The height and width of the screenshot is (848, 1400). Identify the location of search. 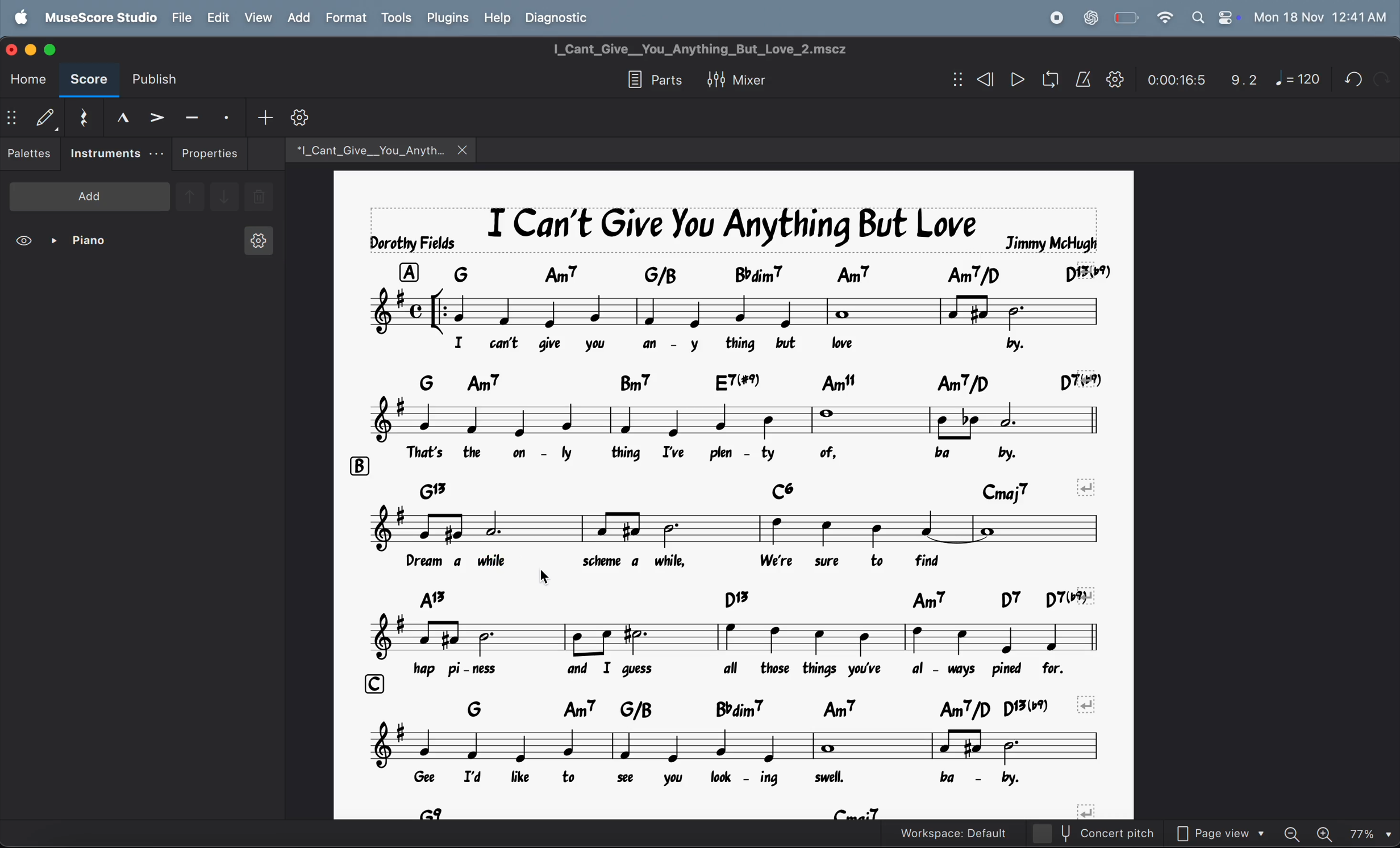
(1194, 17).